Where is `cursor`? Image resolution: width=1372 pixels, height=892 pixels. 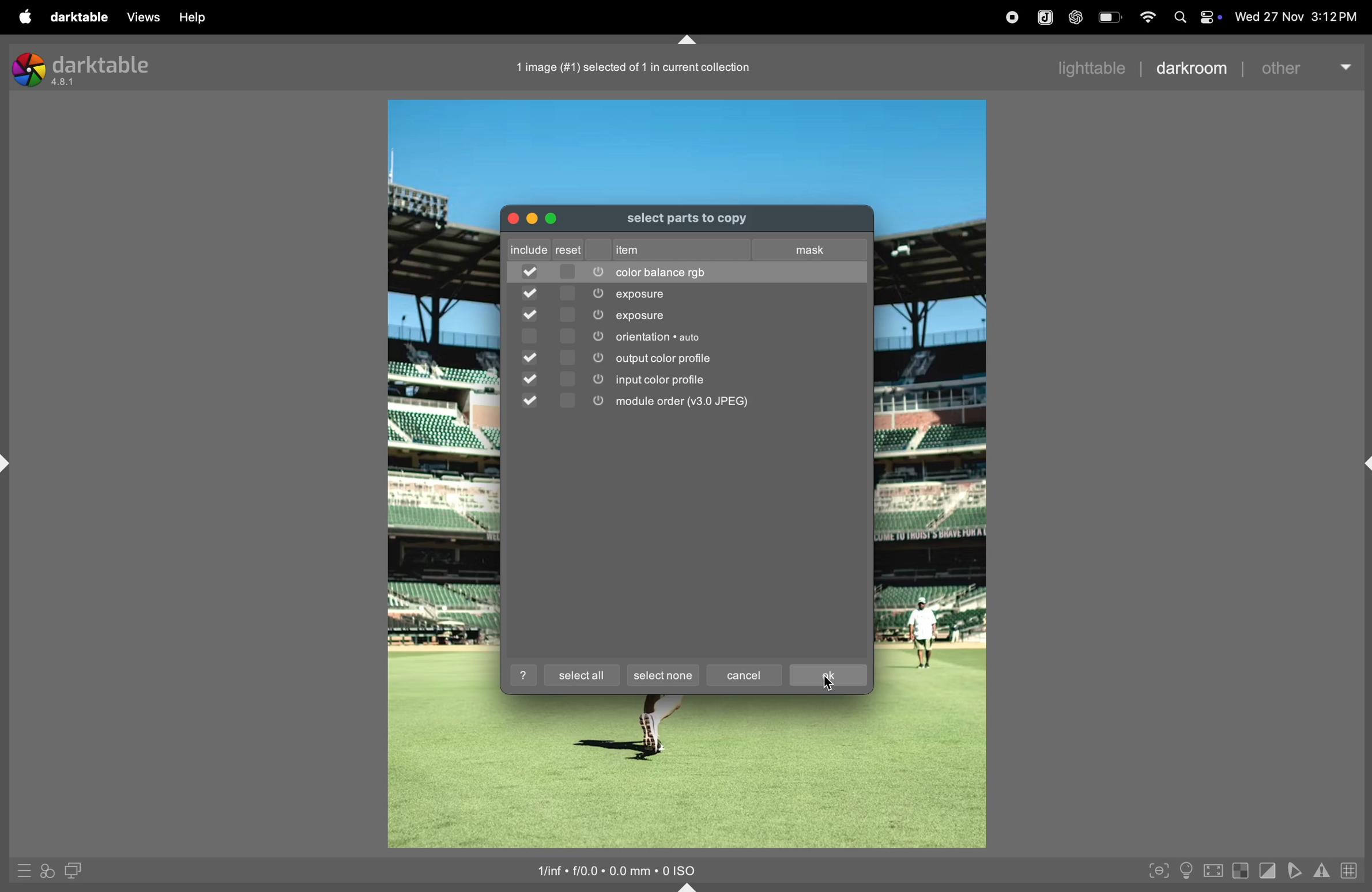
cursor is located at coordinates (827, 685).